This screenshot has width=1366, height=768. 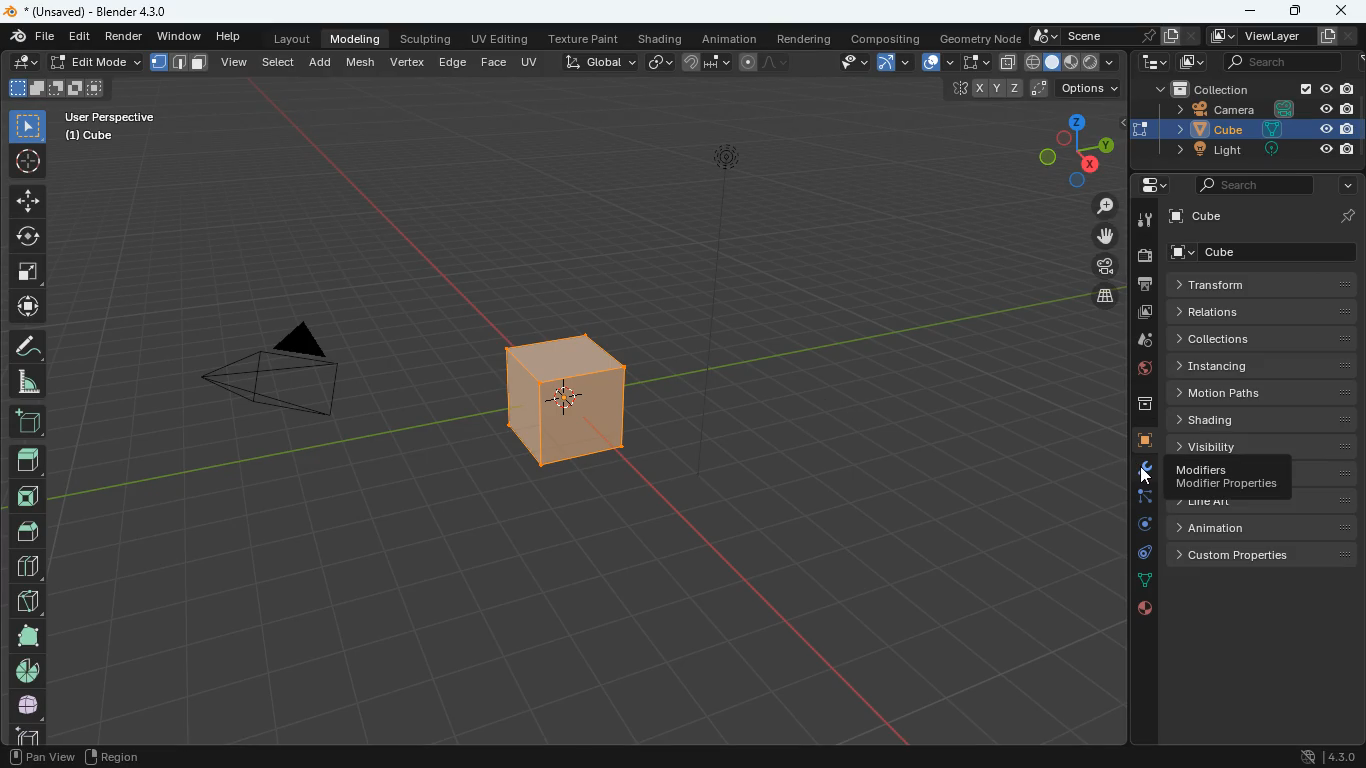 What do you see at coordinates (27, 635) in the screenshot?
I see `shape` at bounding box center [27, 635].